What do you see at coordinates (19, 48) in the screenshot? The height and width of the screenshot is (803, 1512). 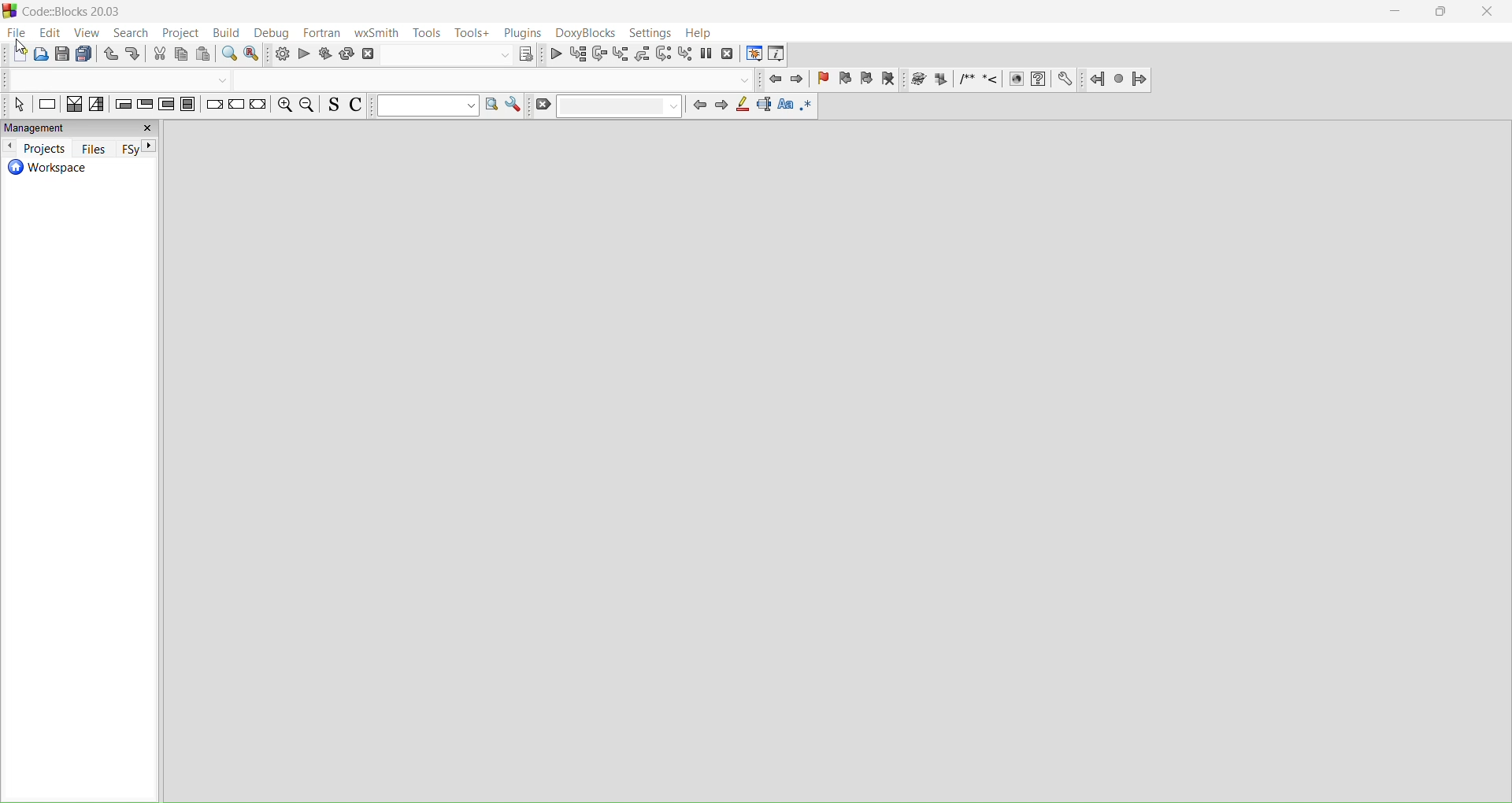 I see `Cursor` at bounding box center [19, 48].